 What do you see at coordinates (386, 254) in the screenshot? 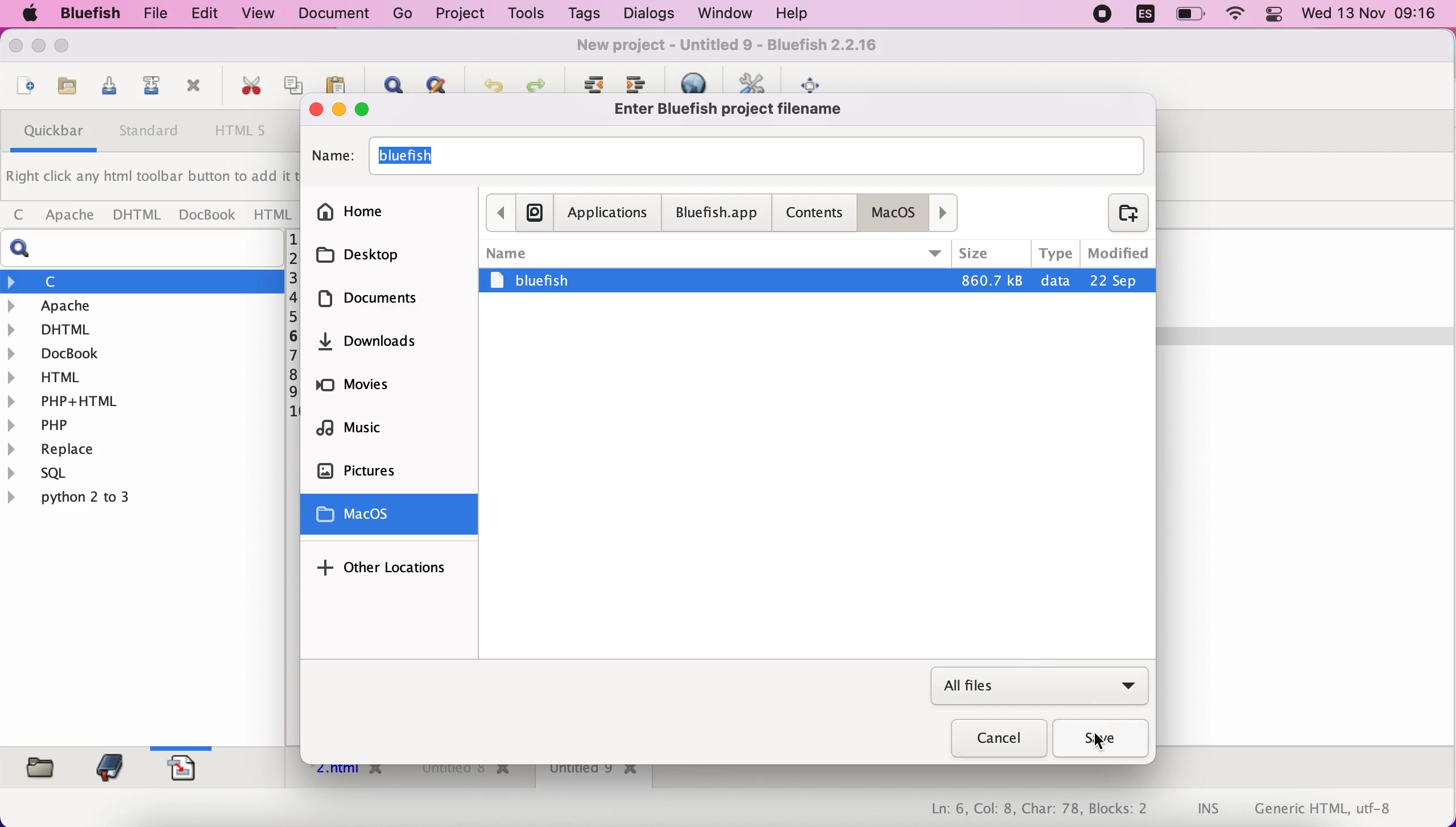
I see `desktop` at bounding box center [386, 254].